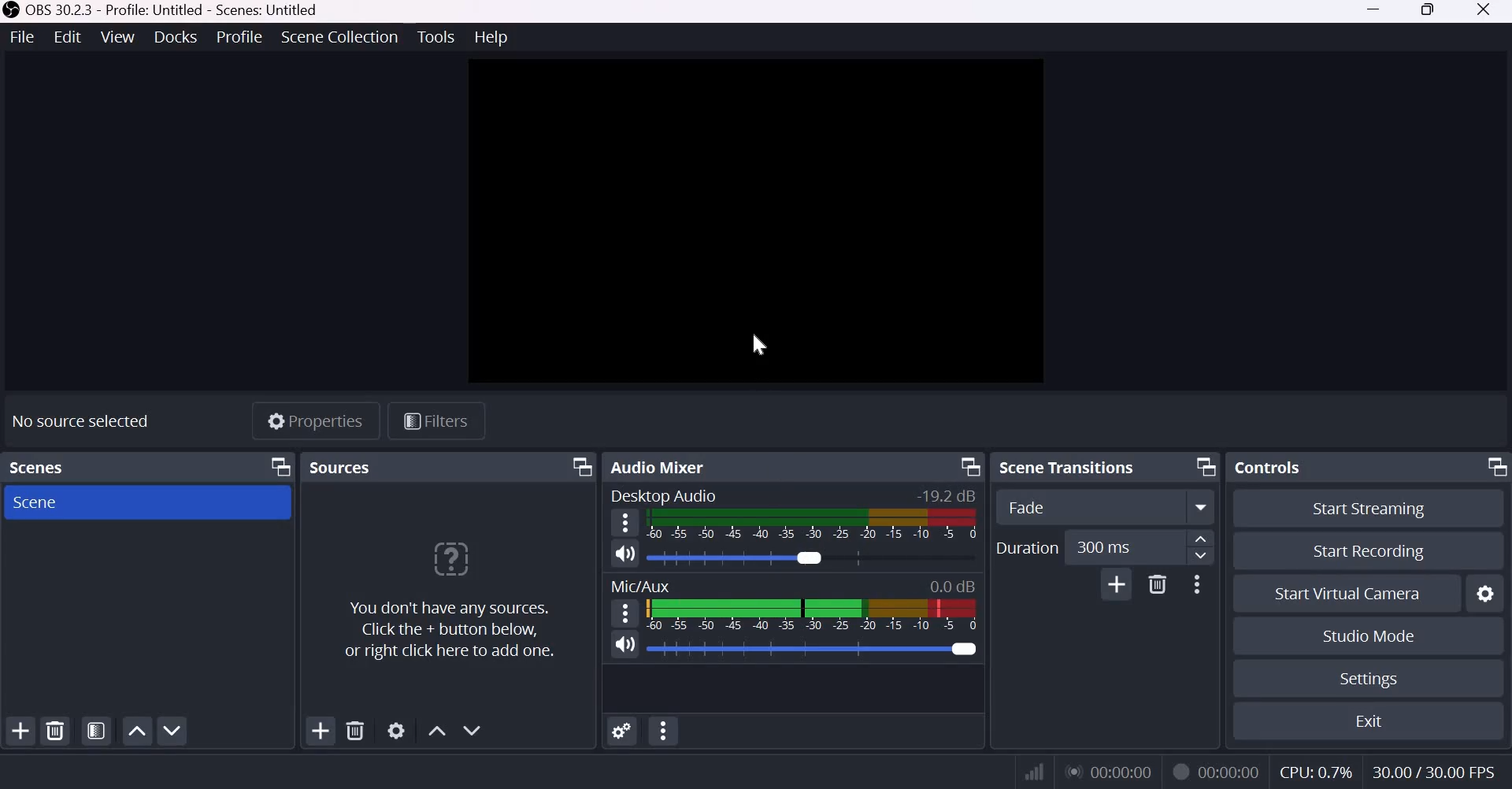  What do you see at coordinates (321, 732) in the screenshot?
I see `Add source(s)` at bounding box center [321, 732].